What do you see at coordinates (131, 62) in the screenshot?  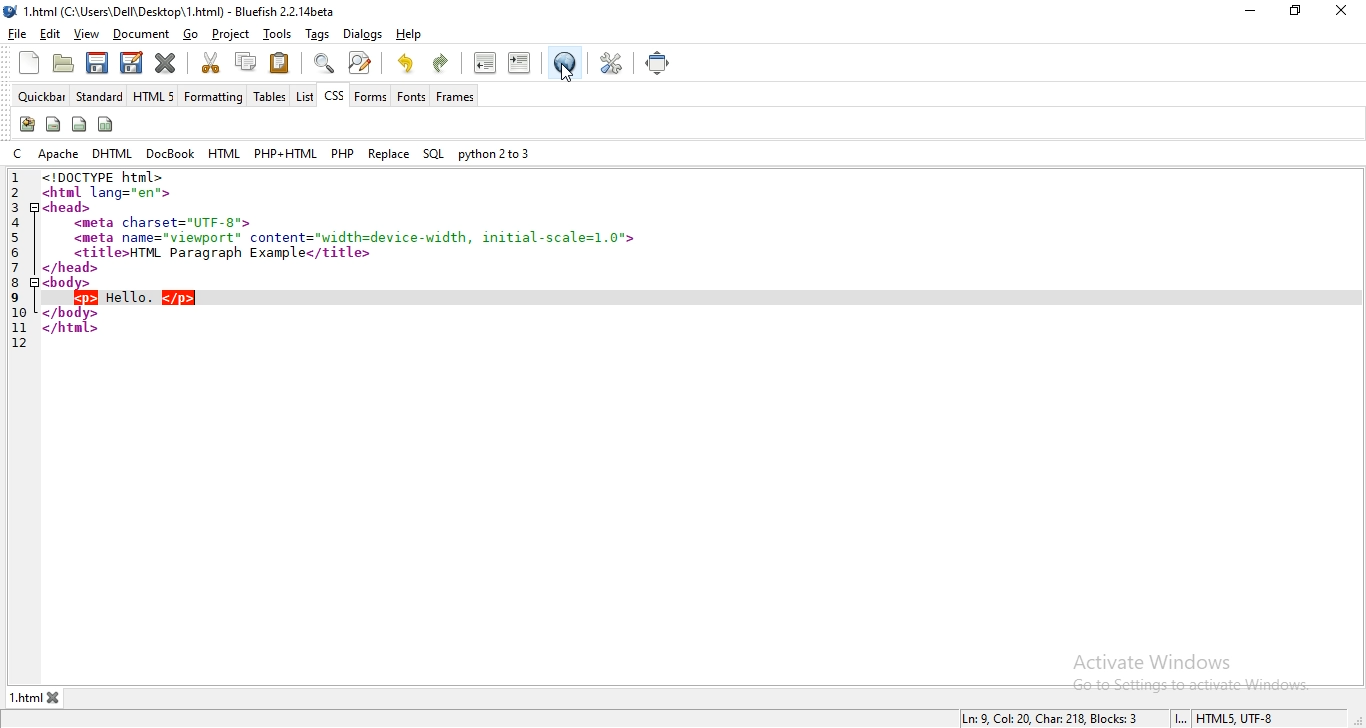 I see `save file as` at bounding box center [131, 62].